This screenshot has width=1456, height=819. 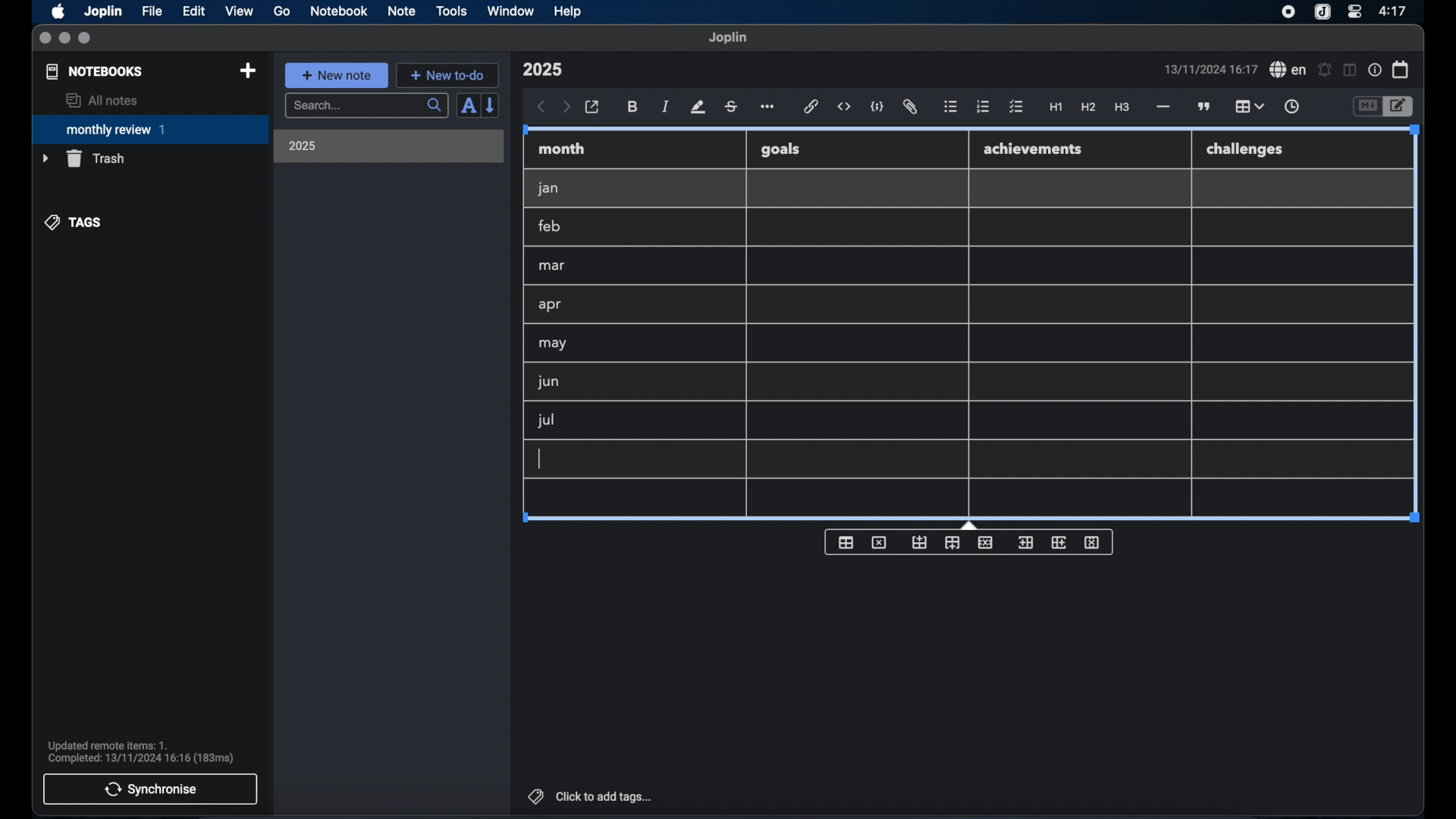 What do you see at coordinates (239, 11) in the screenshot?
I see `view` at bounding box center [239, 11].